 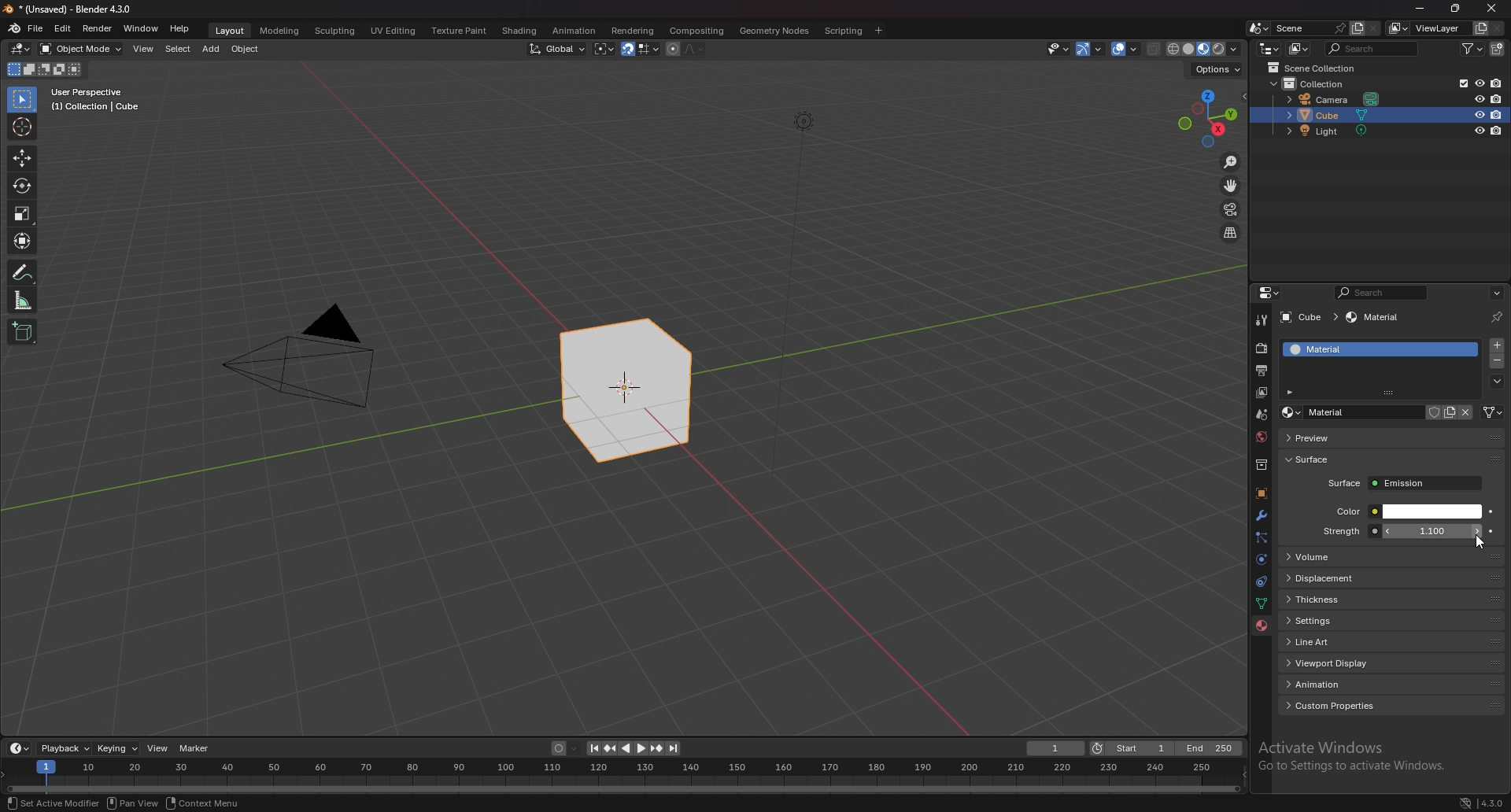 I want to click on layout, so click(x=227, y=28).